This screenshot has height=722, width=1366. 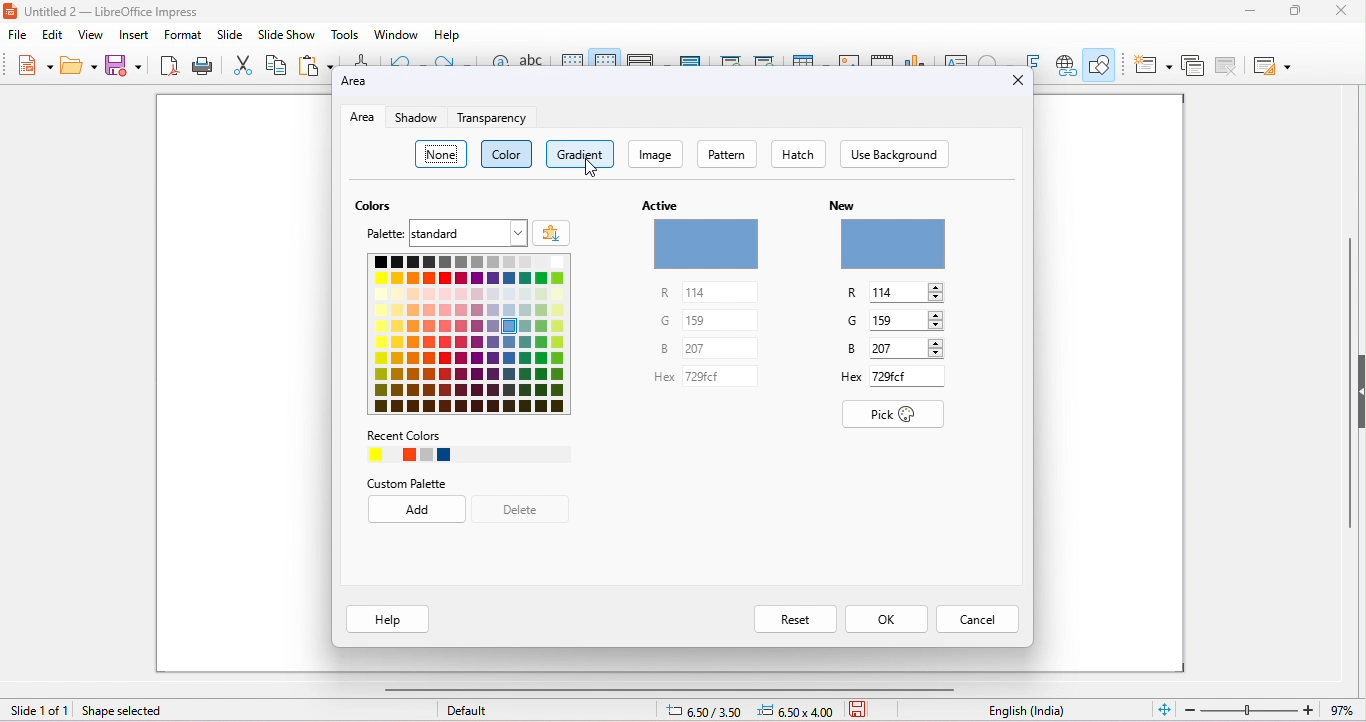 I want to click on 114, so click(x=908, y=292).